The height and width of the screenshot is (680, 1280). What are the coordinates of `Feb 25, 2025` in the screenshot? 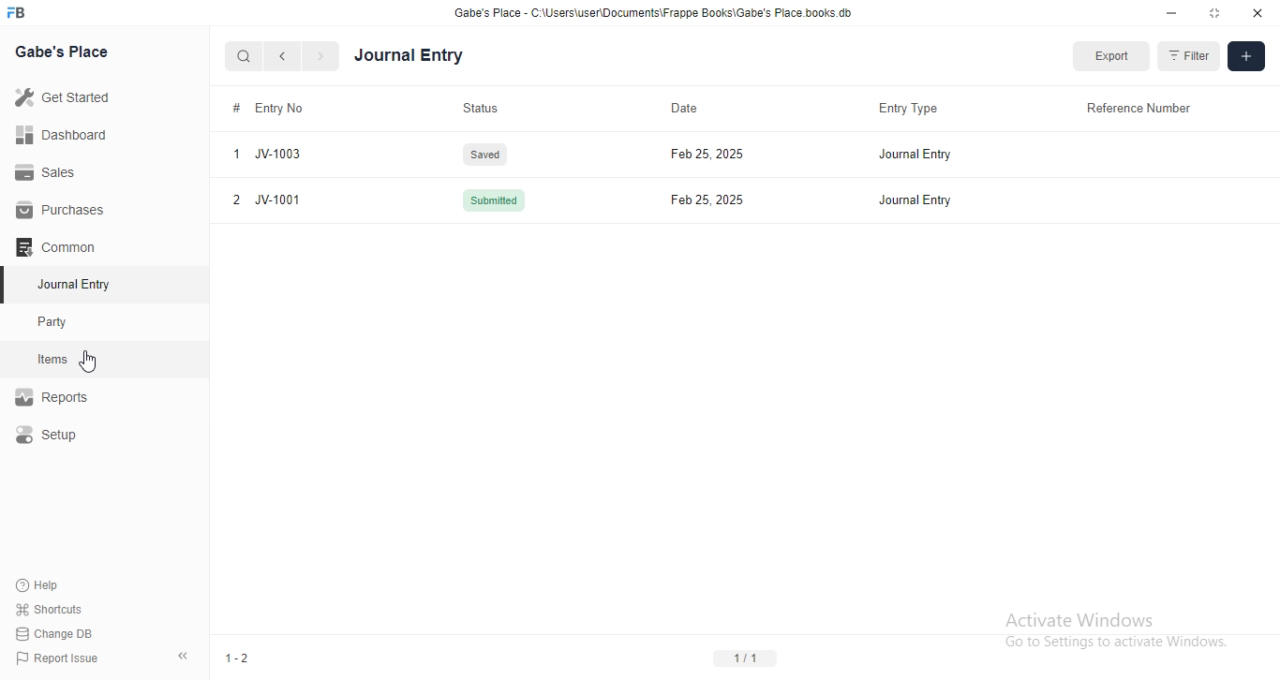 It's located at (706, 153).